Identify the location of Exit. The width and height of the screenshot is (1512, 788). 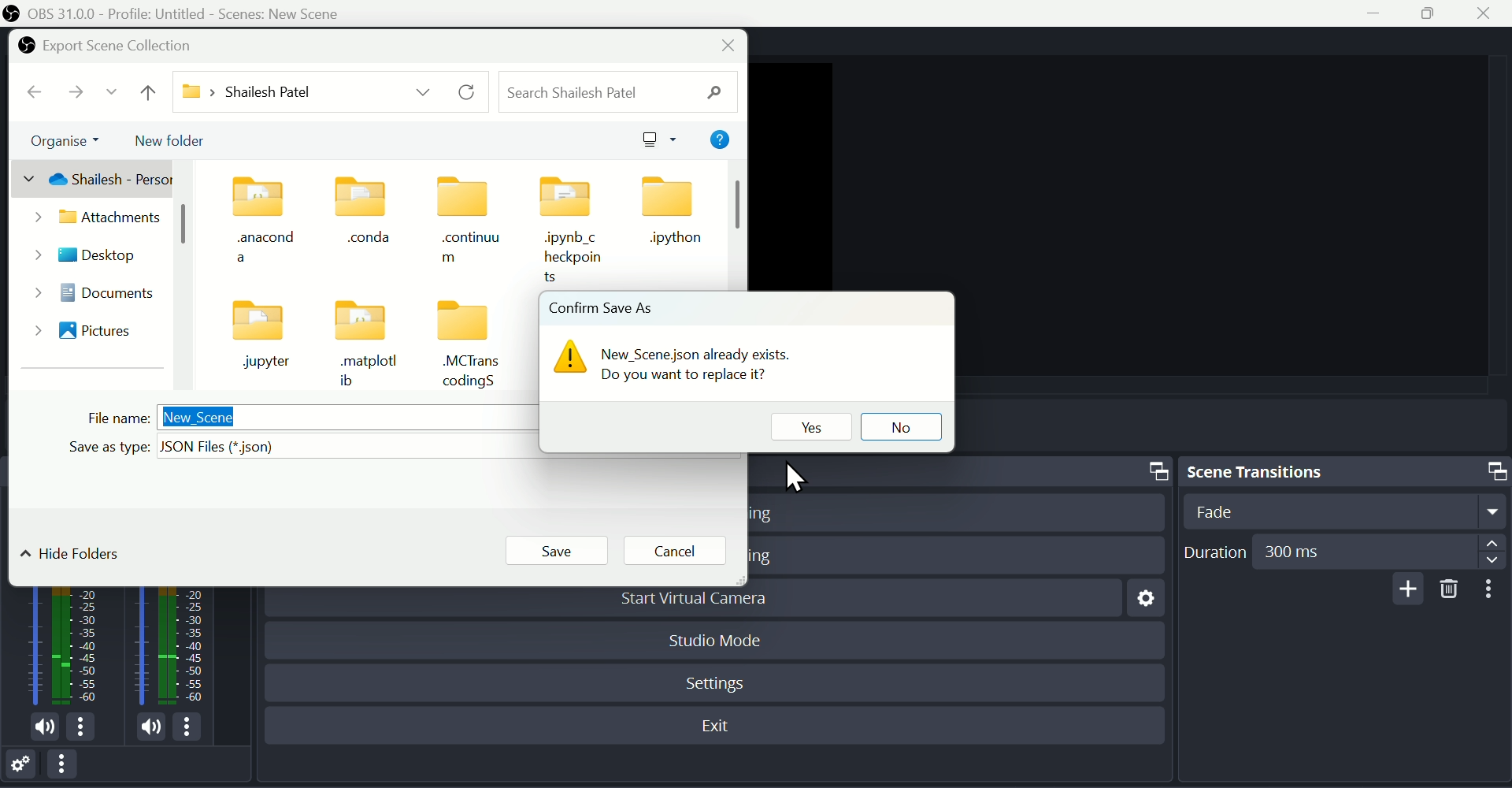
(721, 727).